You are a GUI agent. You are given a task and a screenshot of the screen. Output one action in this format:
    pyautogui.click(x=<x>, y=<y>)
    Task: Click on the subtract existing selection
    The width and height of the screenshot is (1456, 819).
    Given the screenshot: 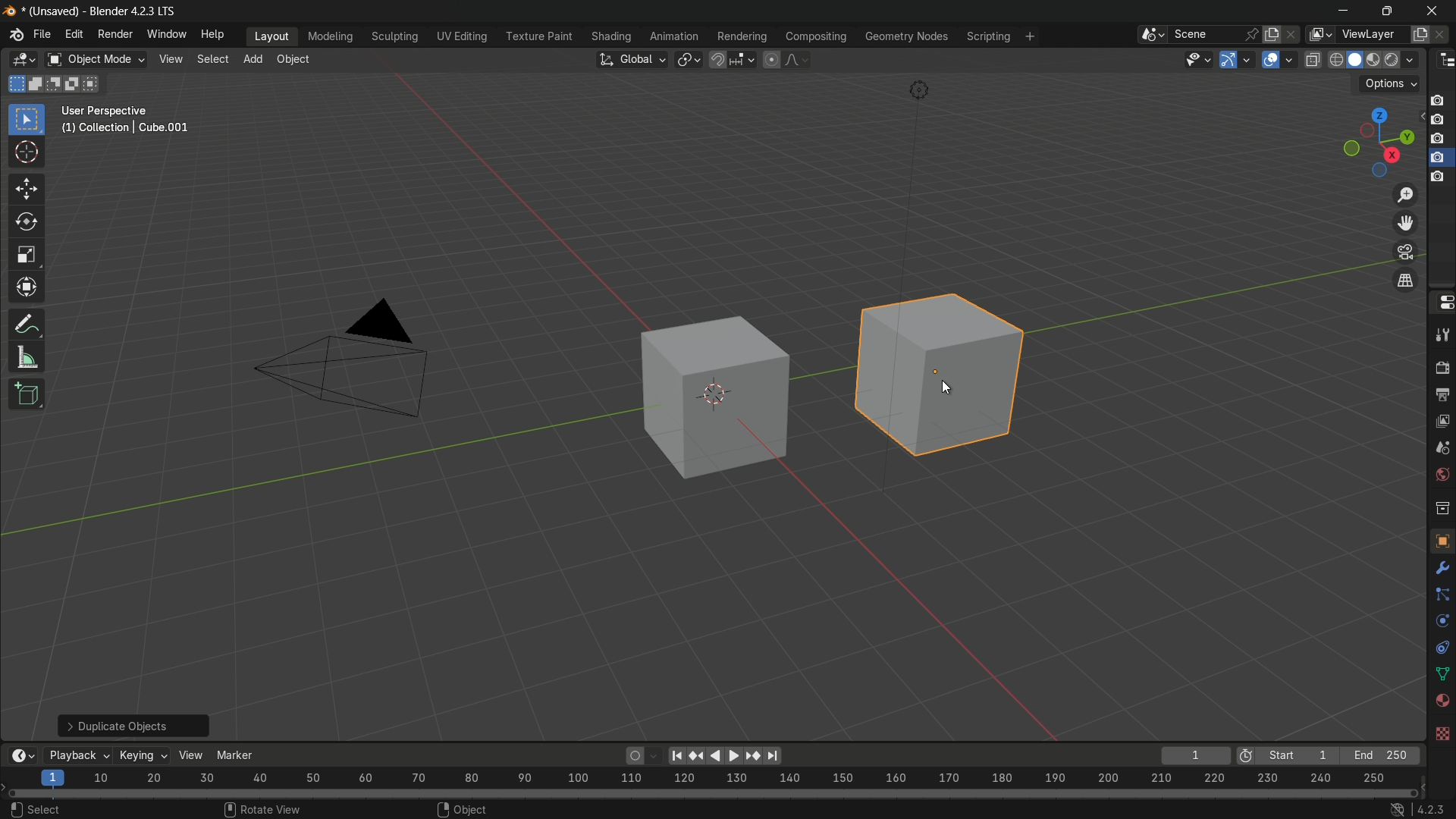 What is the action you would take?
    pyautogui.click(x=55, y=83)
    